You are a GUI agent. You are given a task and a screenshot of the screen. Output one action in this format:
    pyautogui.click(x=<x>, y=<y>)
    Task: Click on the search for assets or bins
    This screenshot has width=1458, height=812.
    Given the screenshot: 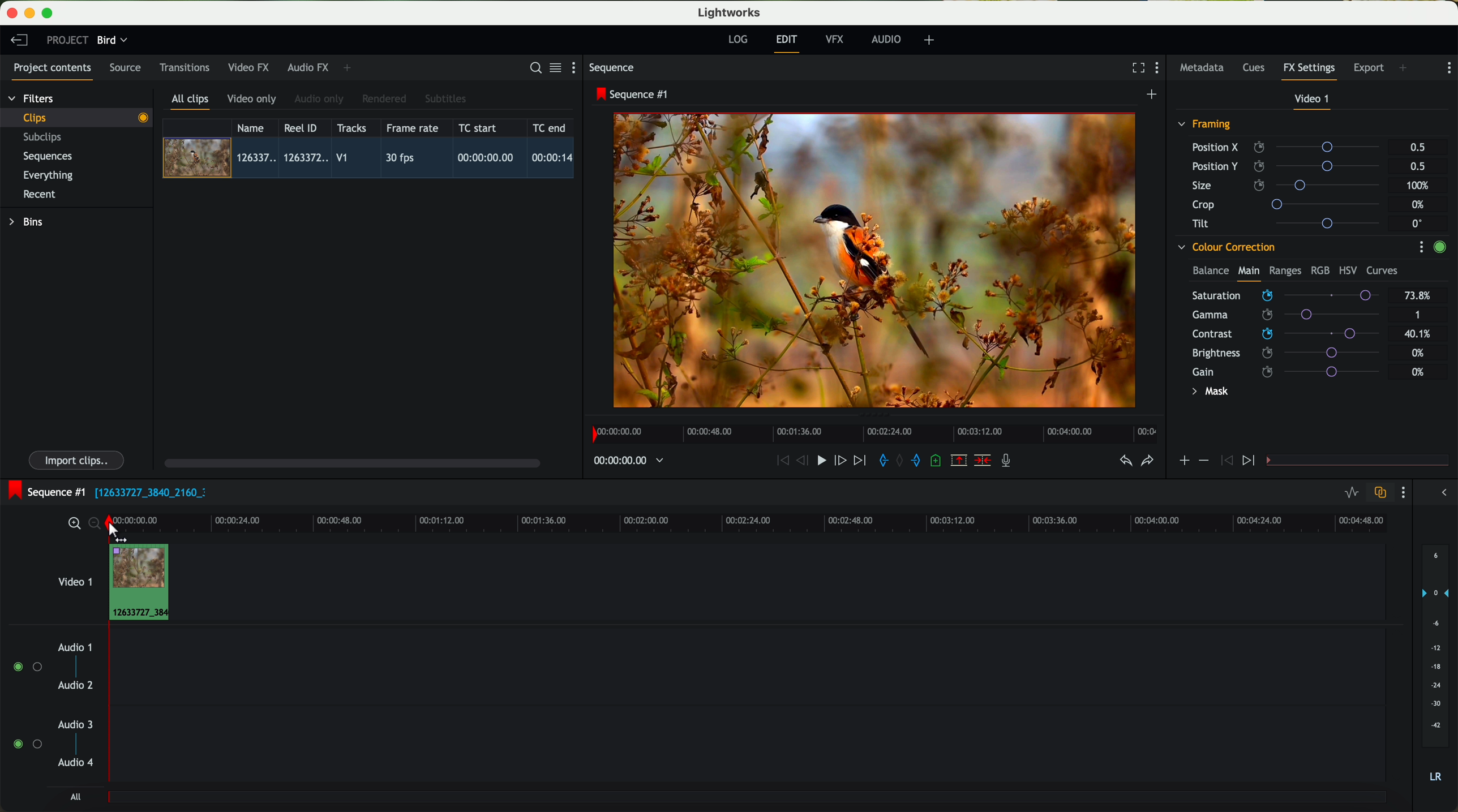 What is the action you would take?
    pyautogui.click(x=532, y=68)
    